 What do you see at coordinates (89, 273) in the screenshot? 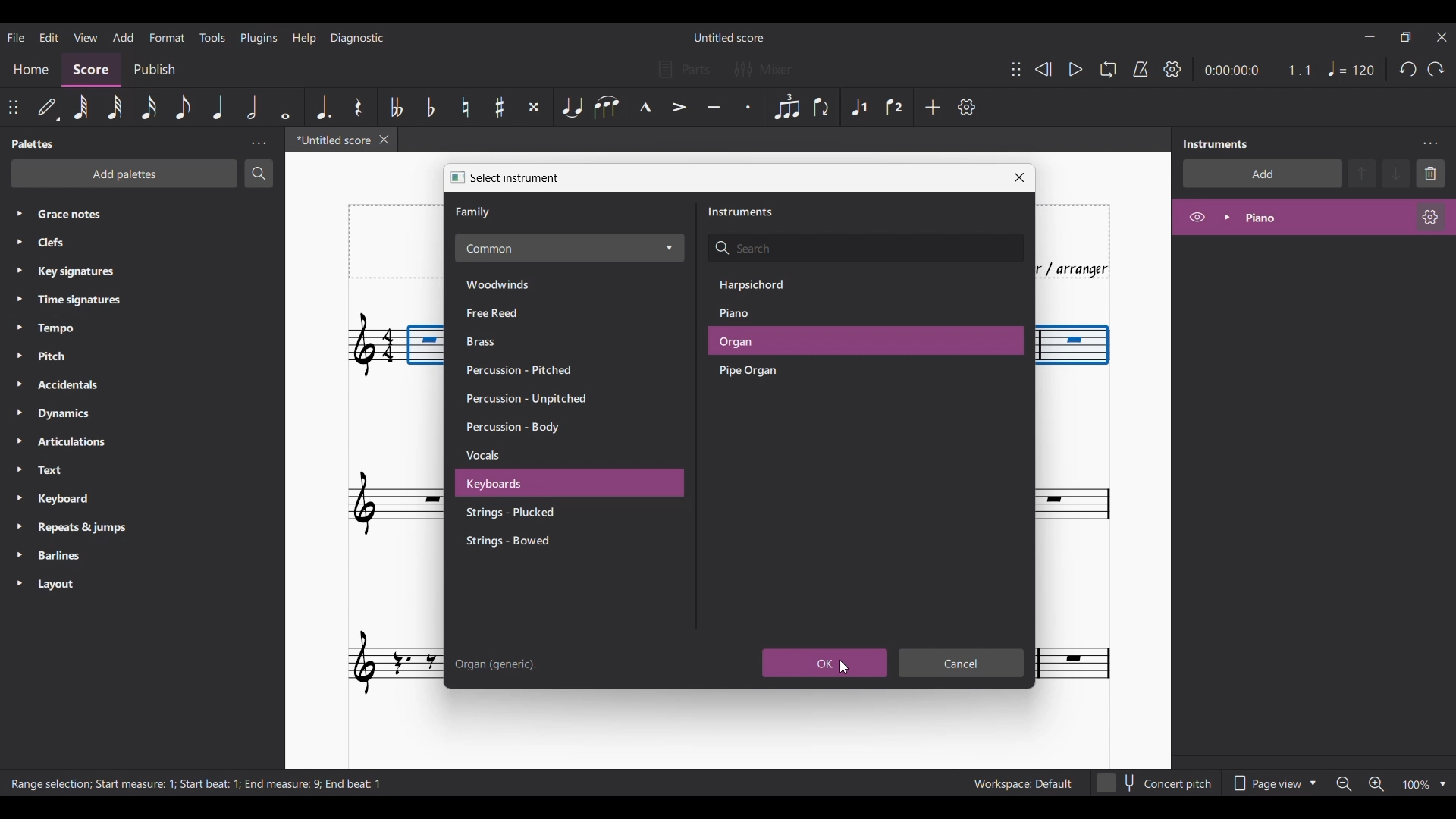
I see `Key signatures.` at bounding box center [89, 273].